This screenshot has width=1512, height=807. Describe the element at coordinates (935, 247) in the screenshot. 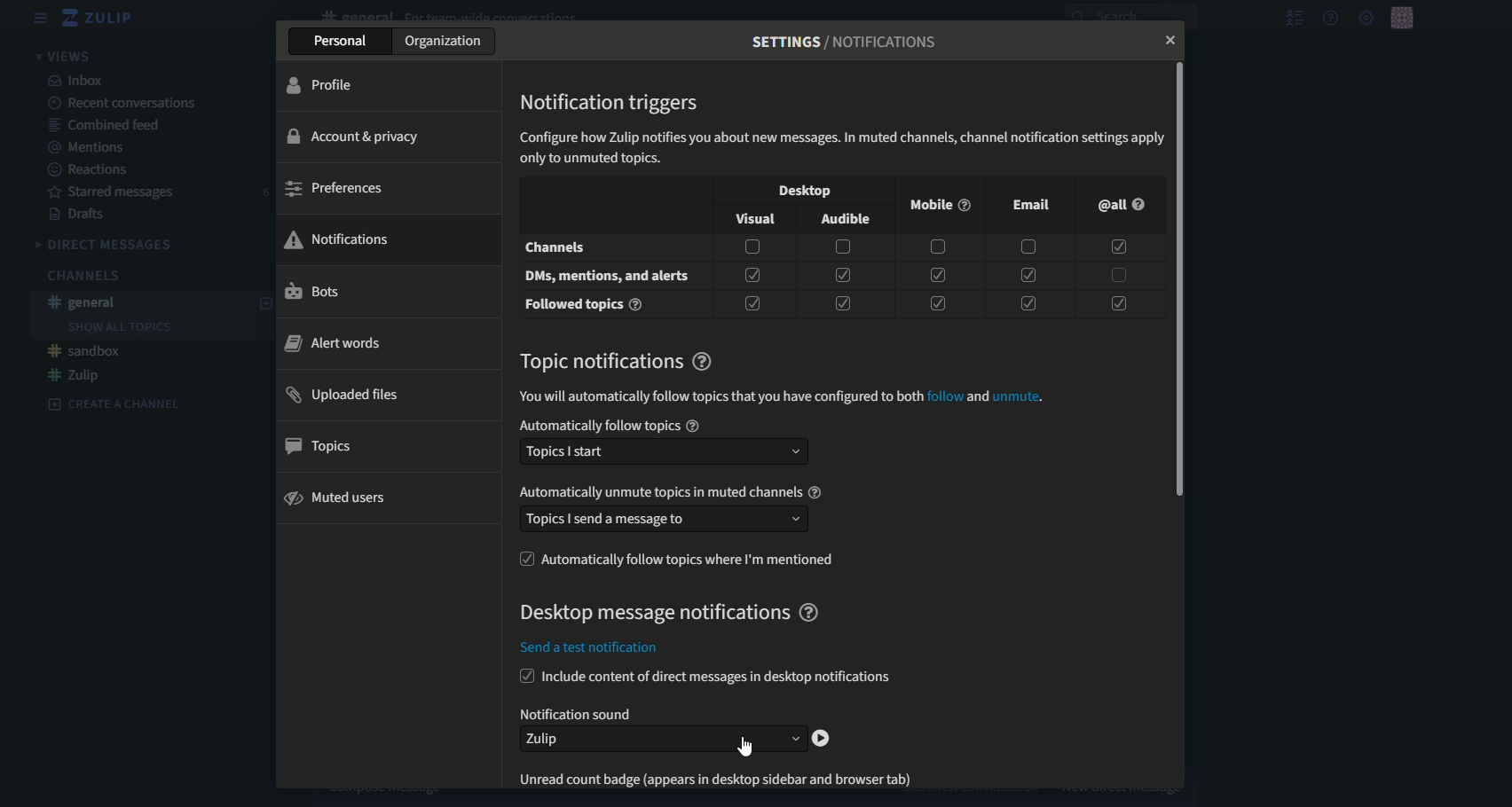

I see `checkbox` at that location.